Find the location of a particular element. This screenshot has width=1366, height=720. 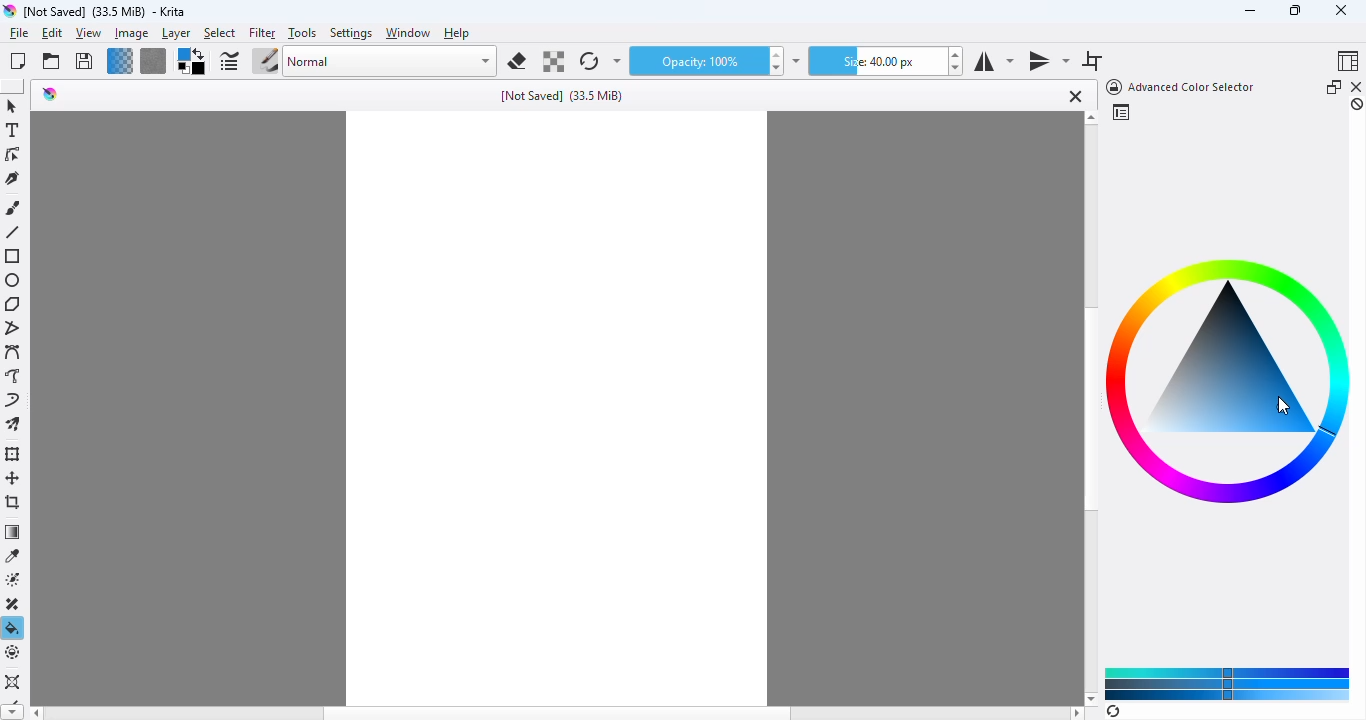

choose brush preset is located at coordinates (265, 60).